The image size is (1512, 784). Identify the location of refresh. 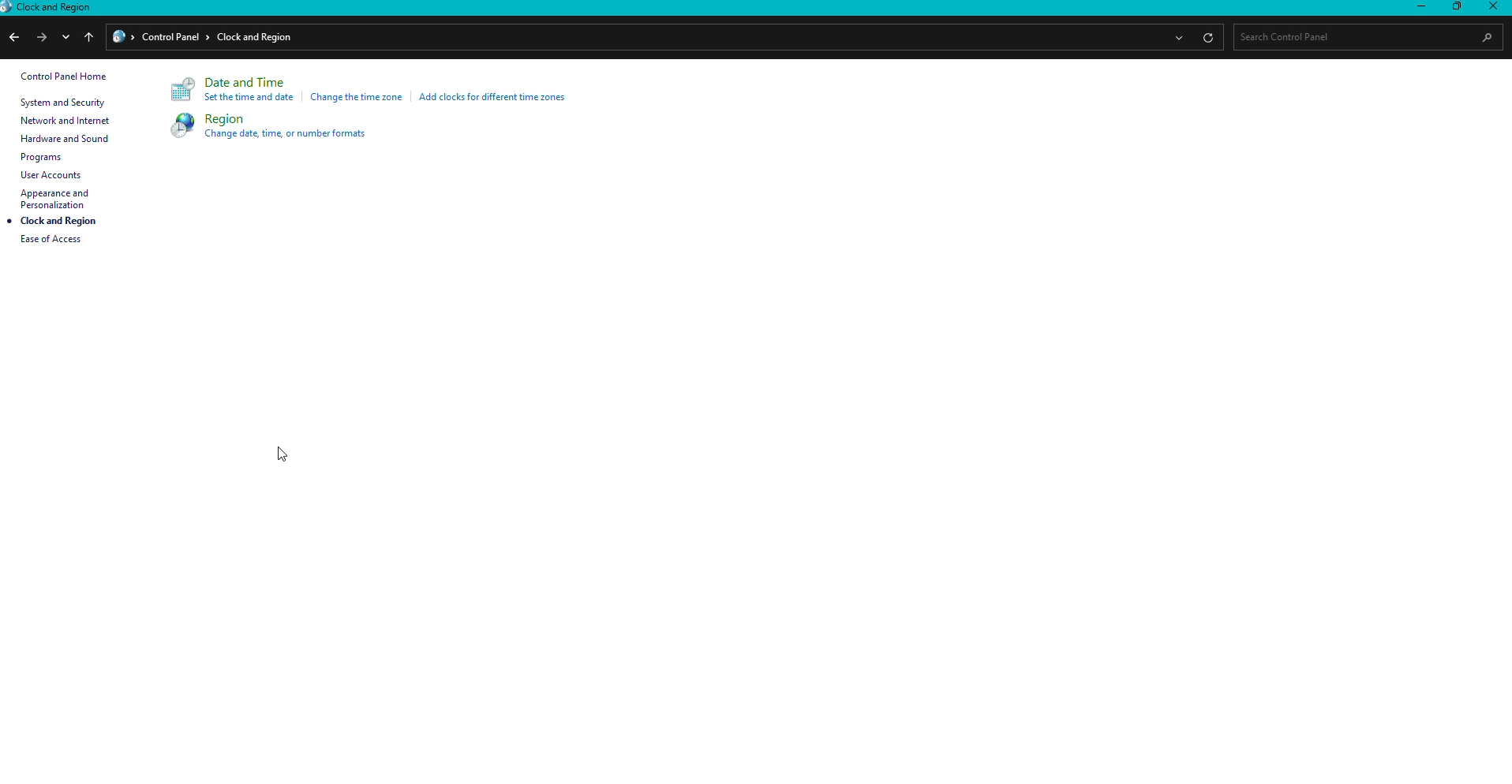
(1207, 37).